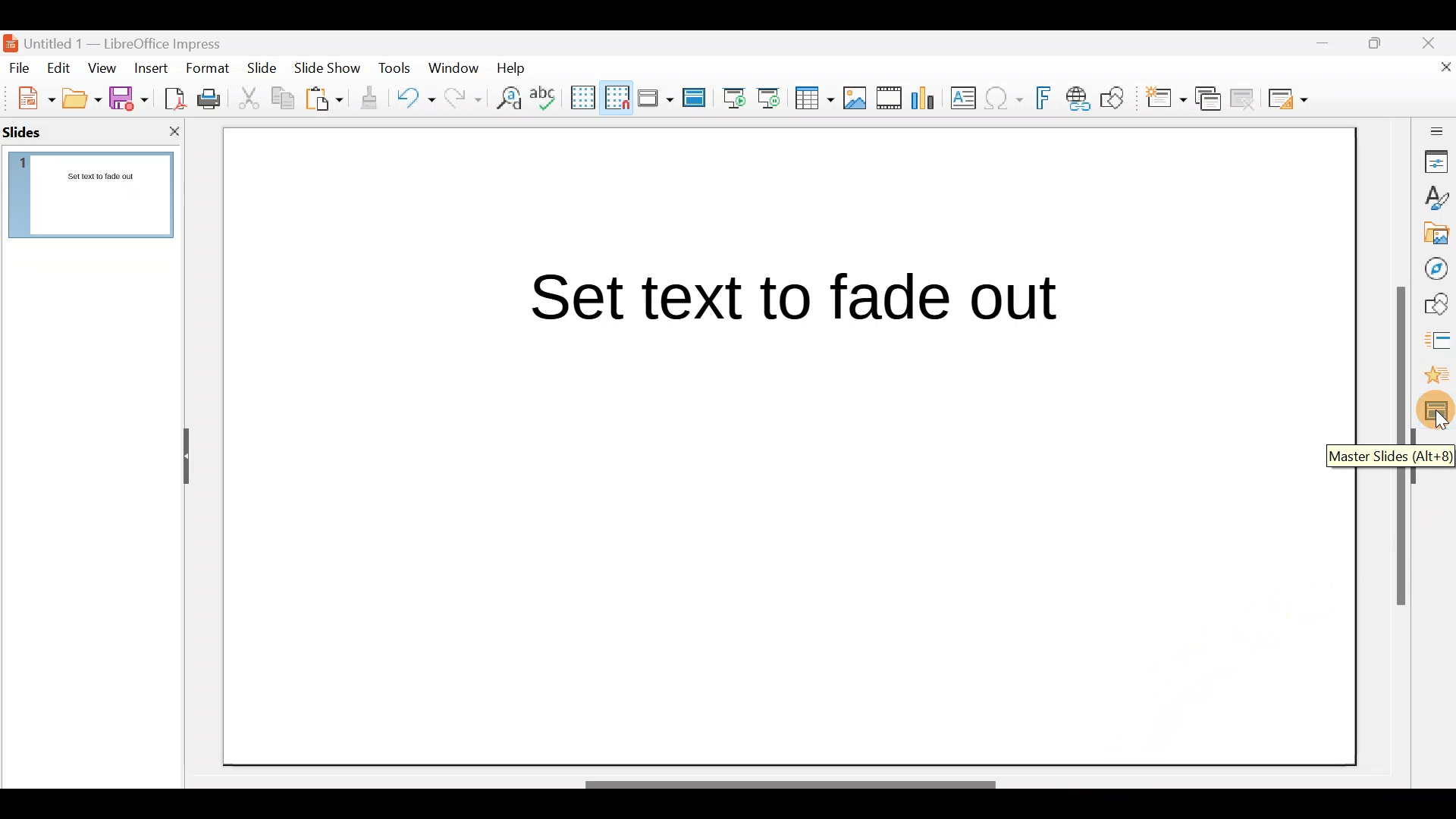  Describe the element at coordinates (281, 99) in the screenshot. I see `Copy` at that location.